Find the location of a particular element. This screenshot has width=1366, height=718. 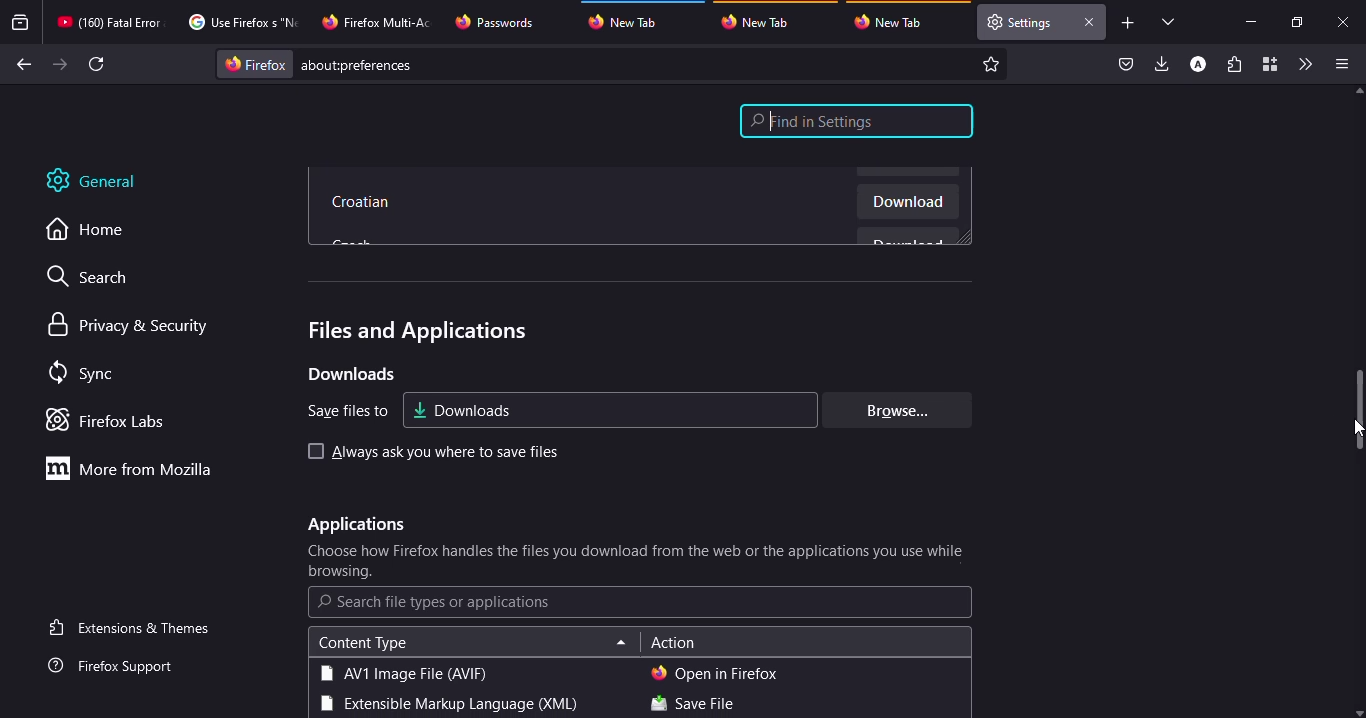

close is located at coordinates (1345, 23).